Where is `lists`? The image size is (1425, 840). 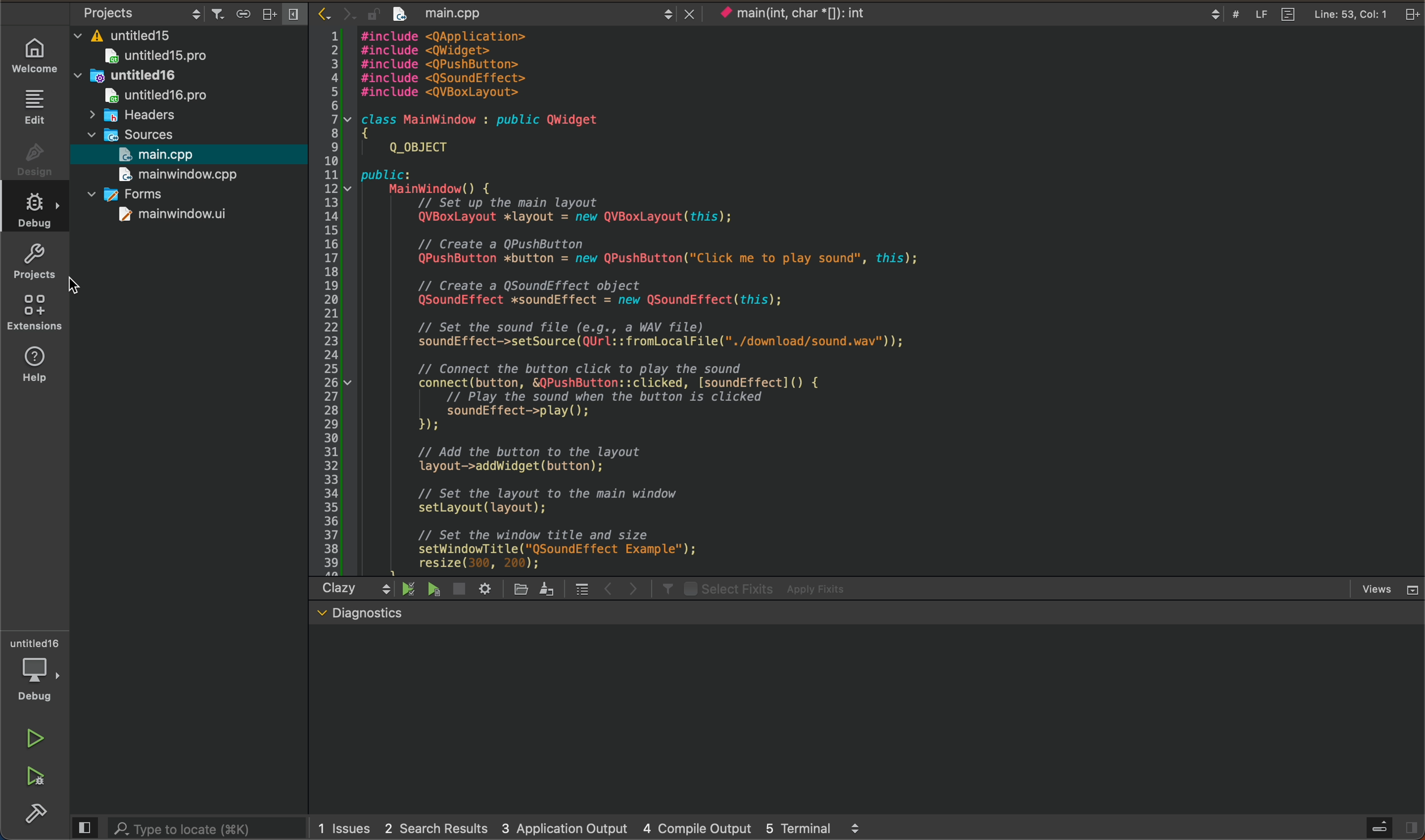 lists is located at coordinates (575, 588).